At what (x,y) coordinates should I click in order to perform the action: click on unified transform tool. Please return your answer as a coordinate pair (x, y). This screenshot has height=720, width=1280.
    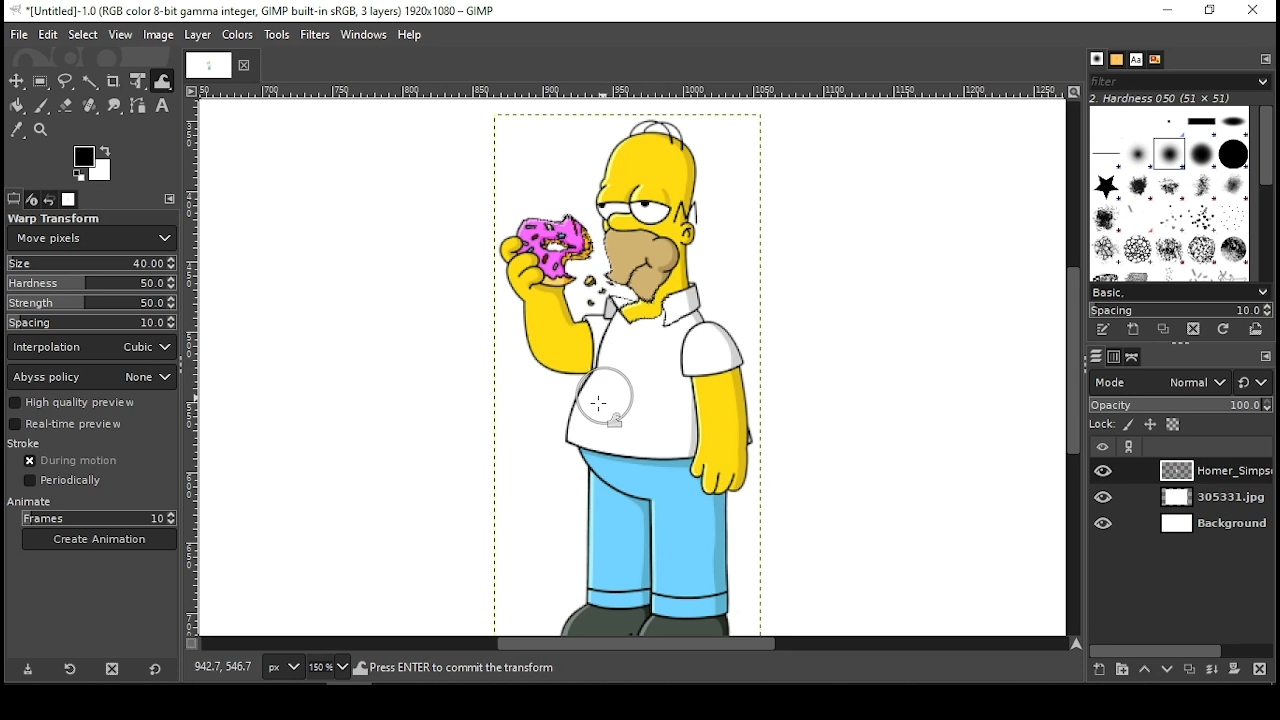
    Looking at the image, I should click on (140, 82).